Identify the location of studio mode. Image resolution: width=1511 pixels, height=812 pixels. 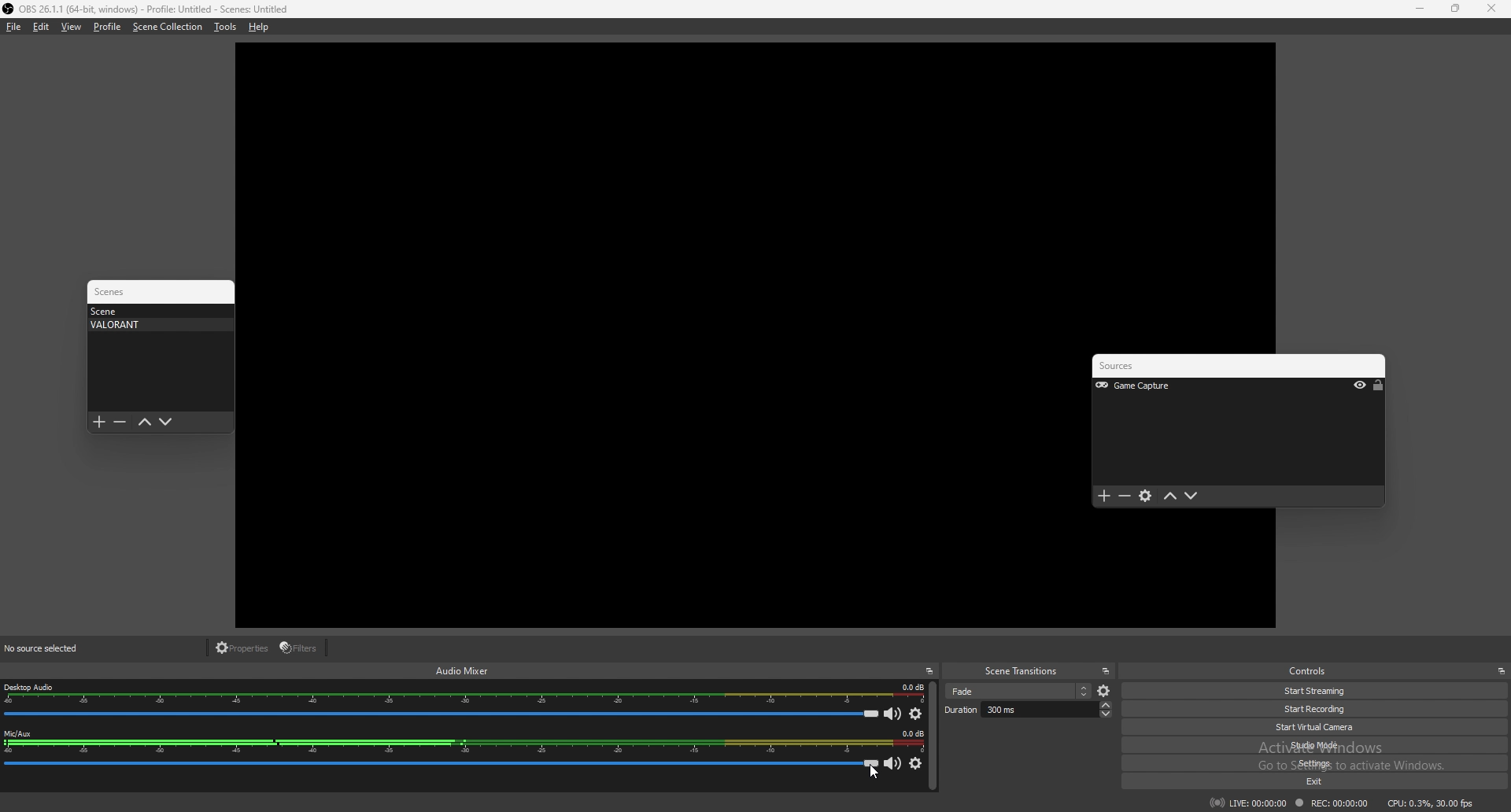
(1322, 744).